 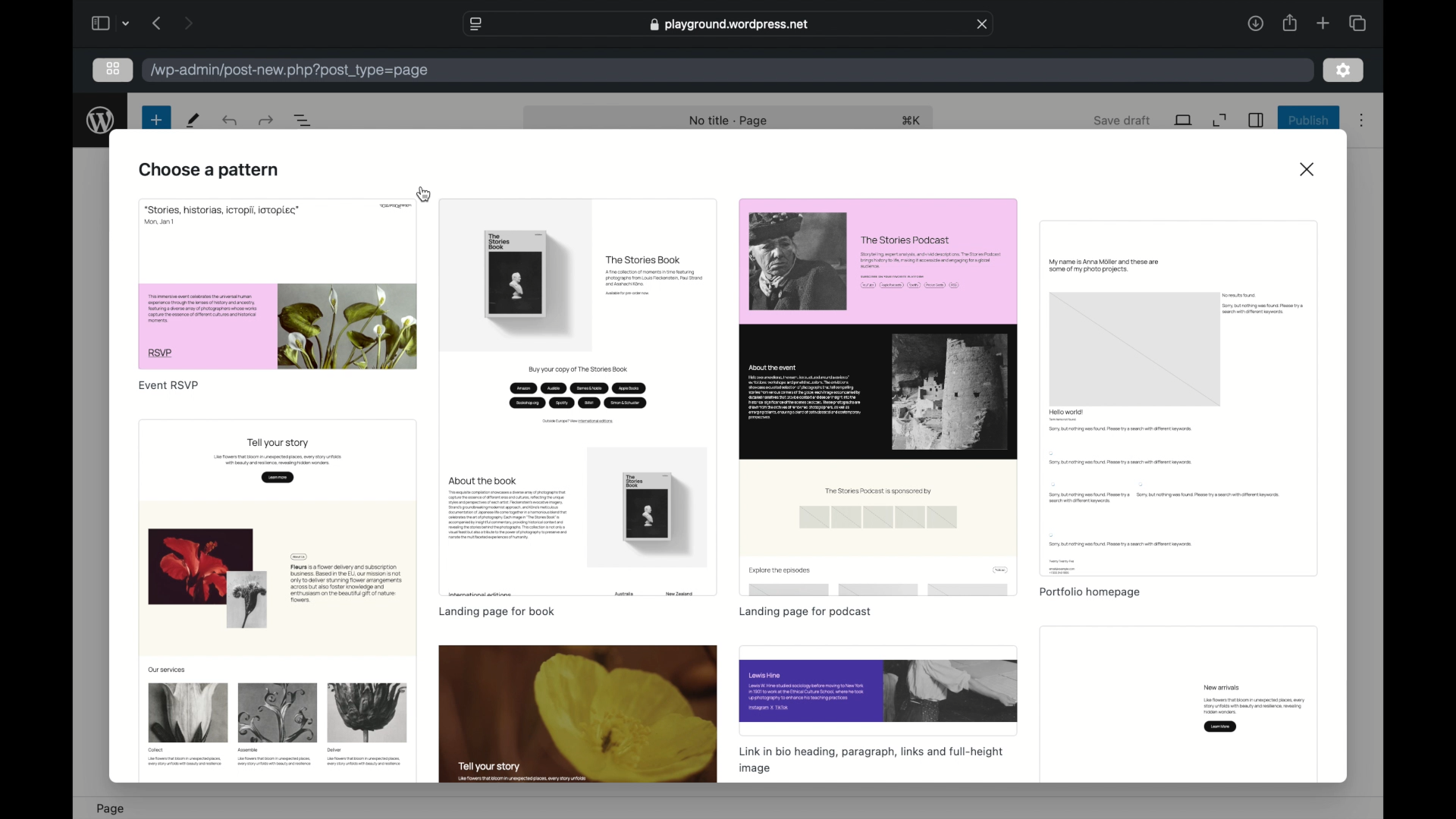 What do you see at coordinates (475, 24) in the screenshot?
I see `website settings` at bounding box center [475, 24].